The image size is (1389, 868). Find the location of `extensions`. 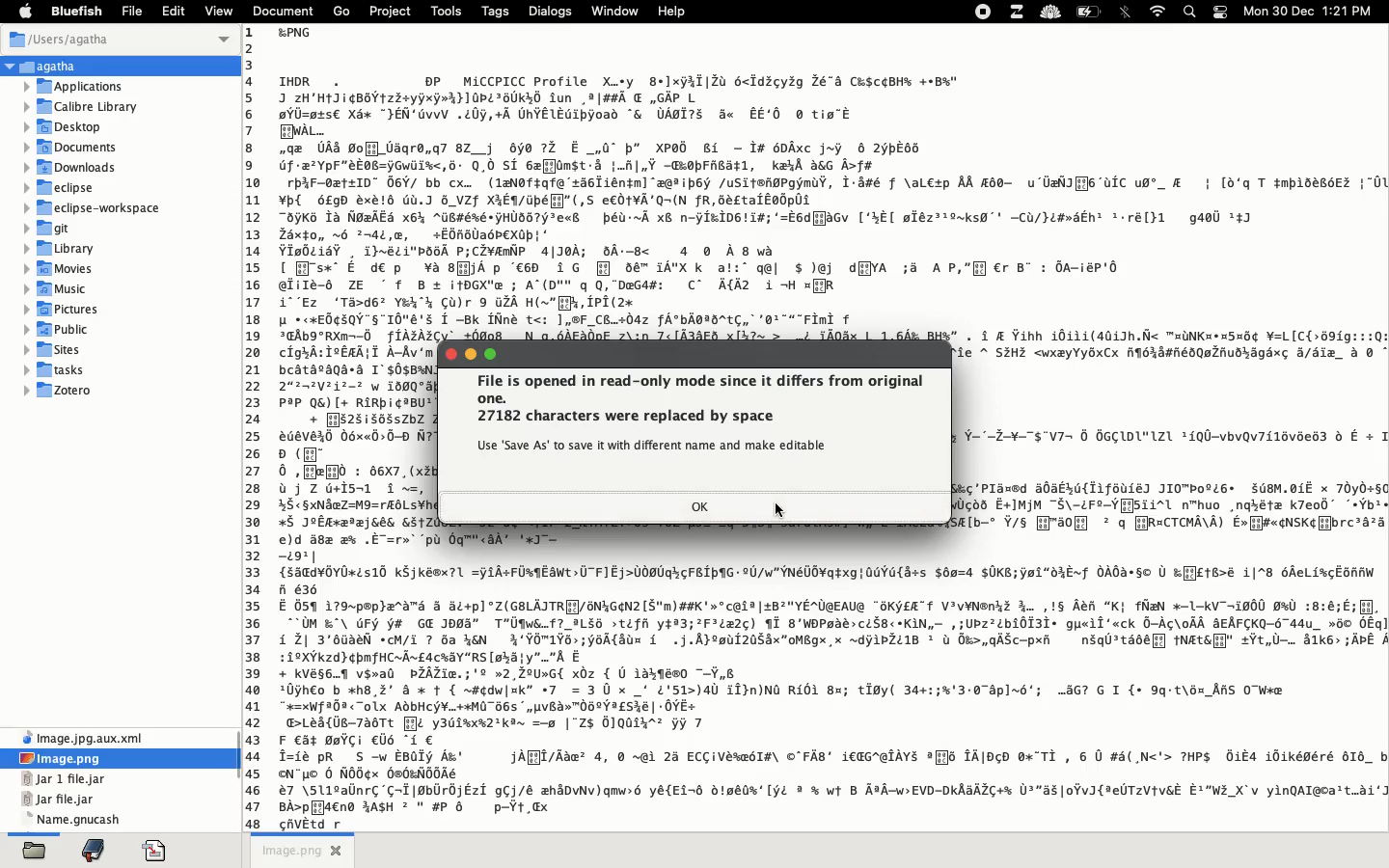

extensions is located at coordinates (1019, 12).